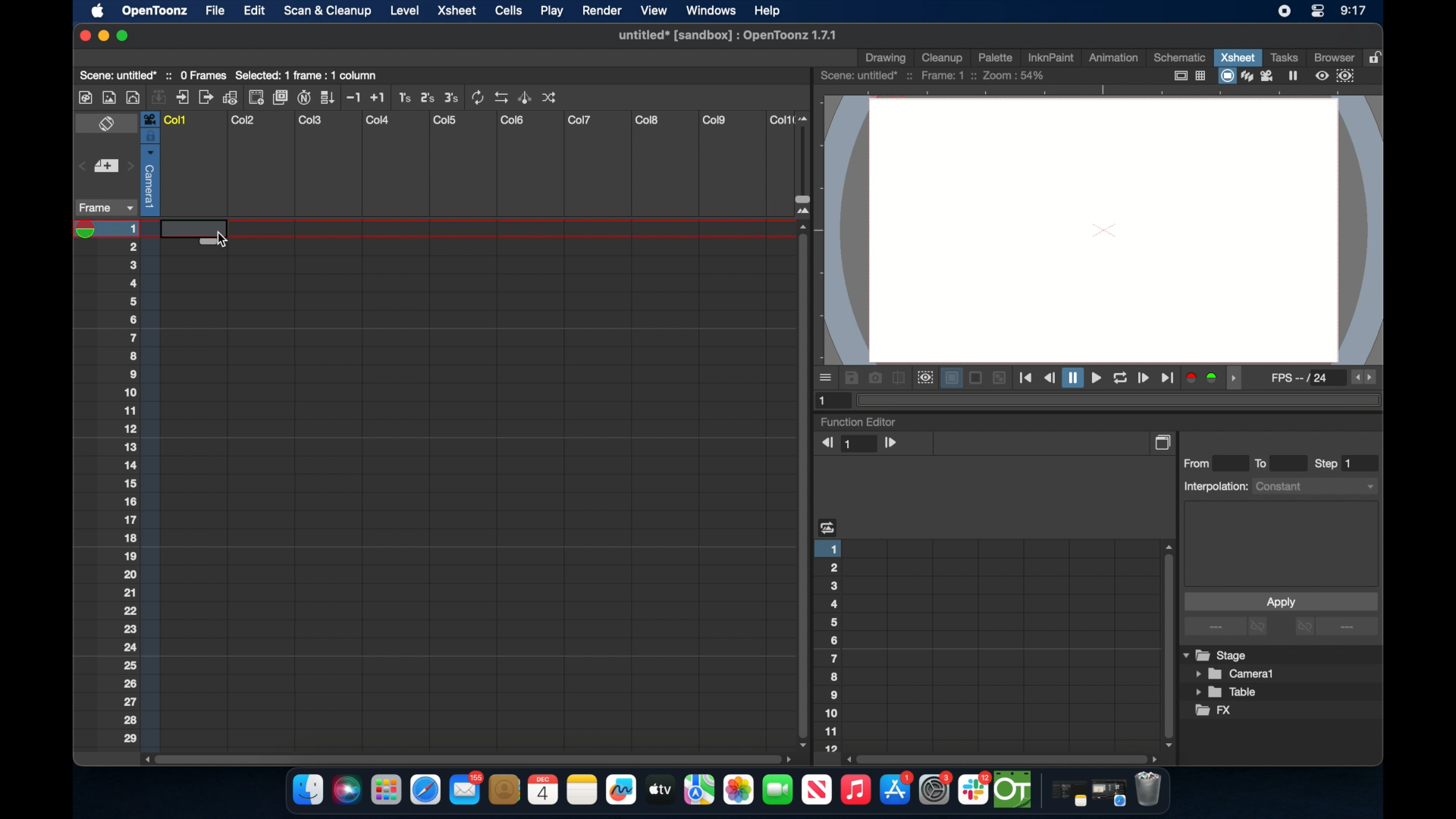  I want to click on preview, so click(1337, 76).